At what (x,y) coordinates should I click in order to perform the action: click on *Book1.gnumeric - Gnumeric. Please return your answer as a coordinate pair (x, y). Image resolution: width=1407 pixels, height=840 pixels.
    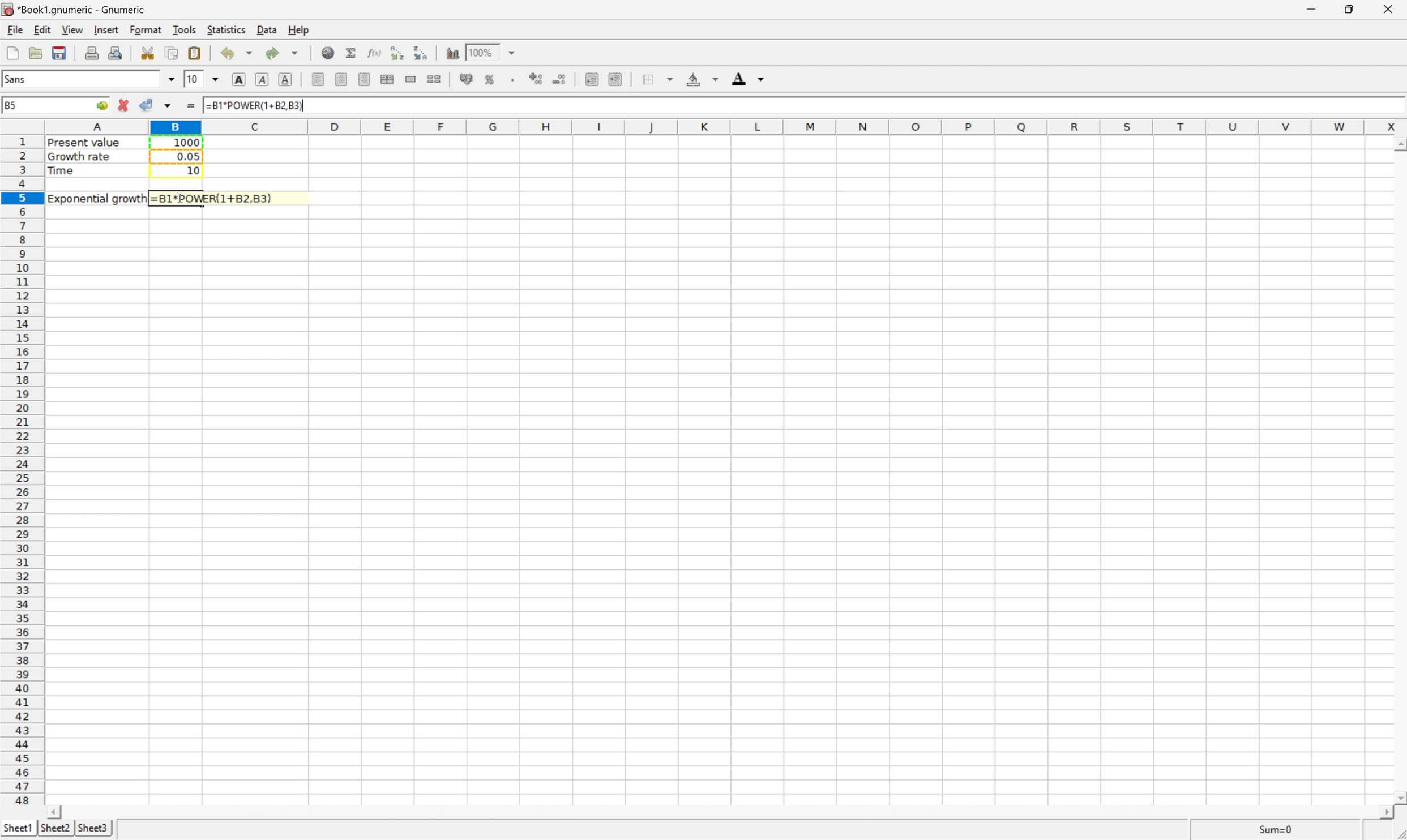
    Looking at the image, I should click on (76, 8).